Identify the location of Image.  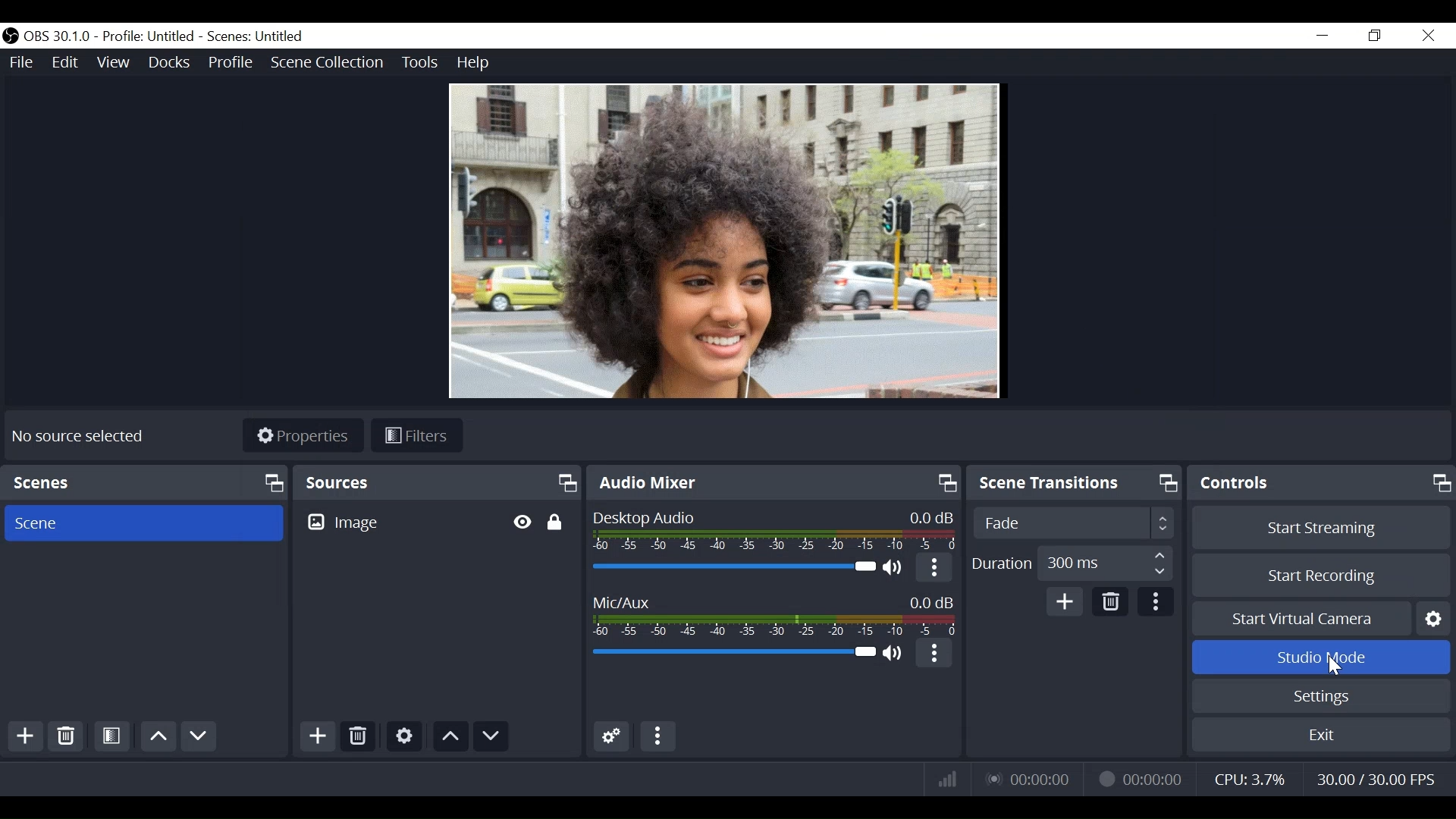
(348, 522).